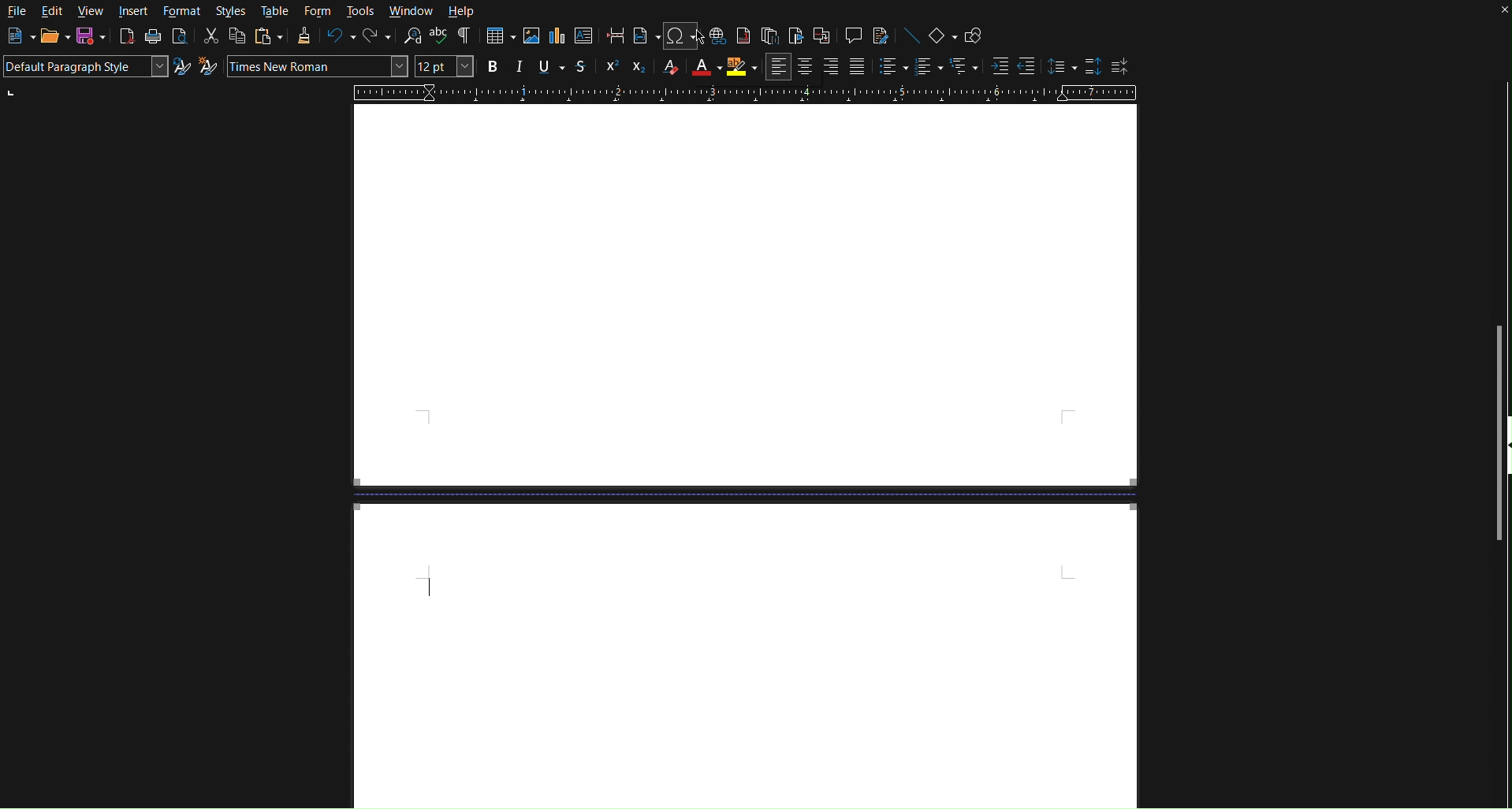 This screenshot has width=1512, height=809. Describe the element at coordinates (743, 94) in the screenshot. I see `Ruler` at that location.